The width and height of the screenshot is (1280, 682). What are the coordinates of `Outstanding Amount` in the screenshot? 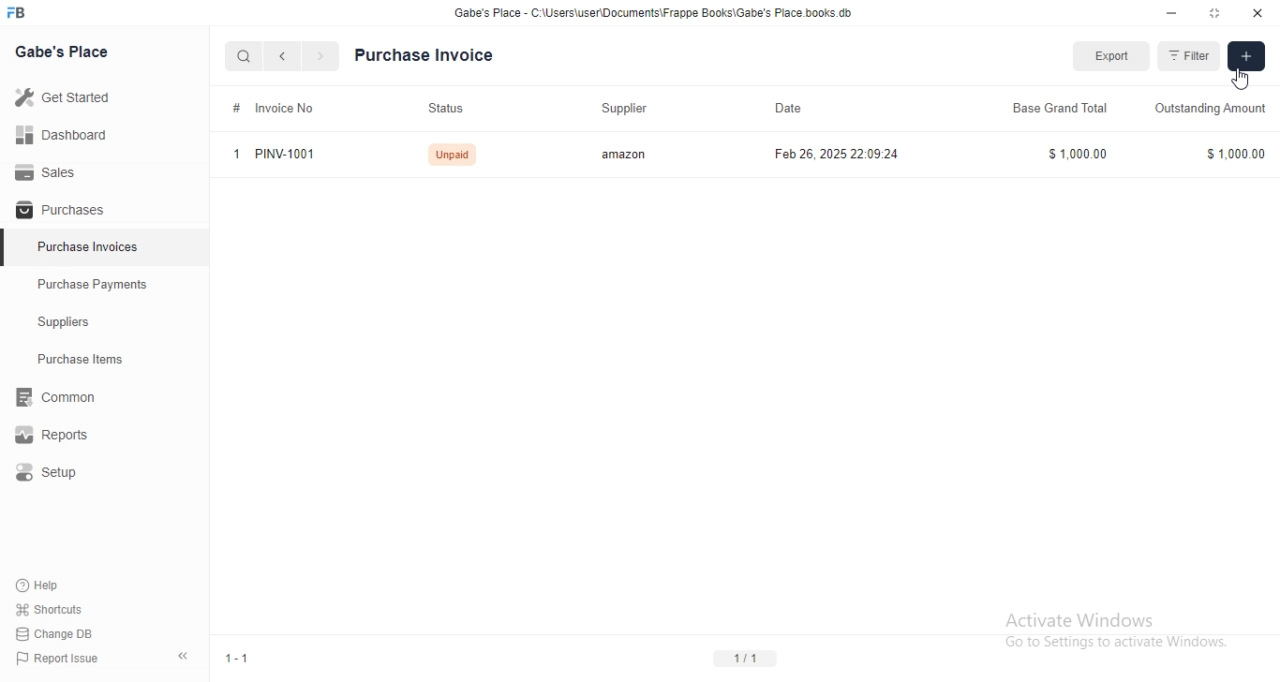 It's located at (1211, 108).